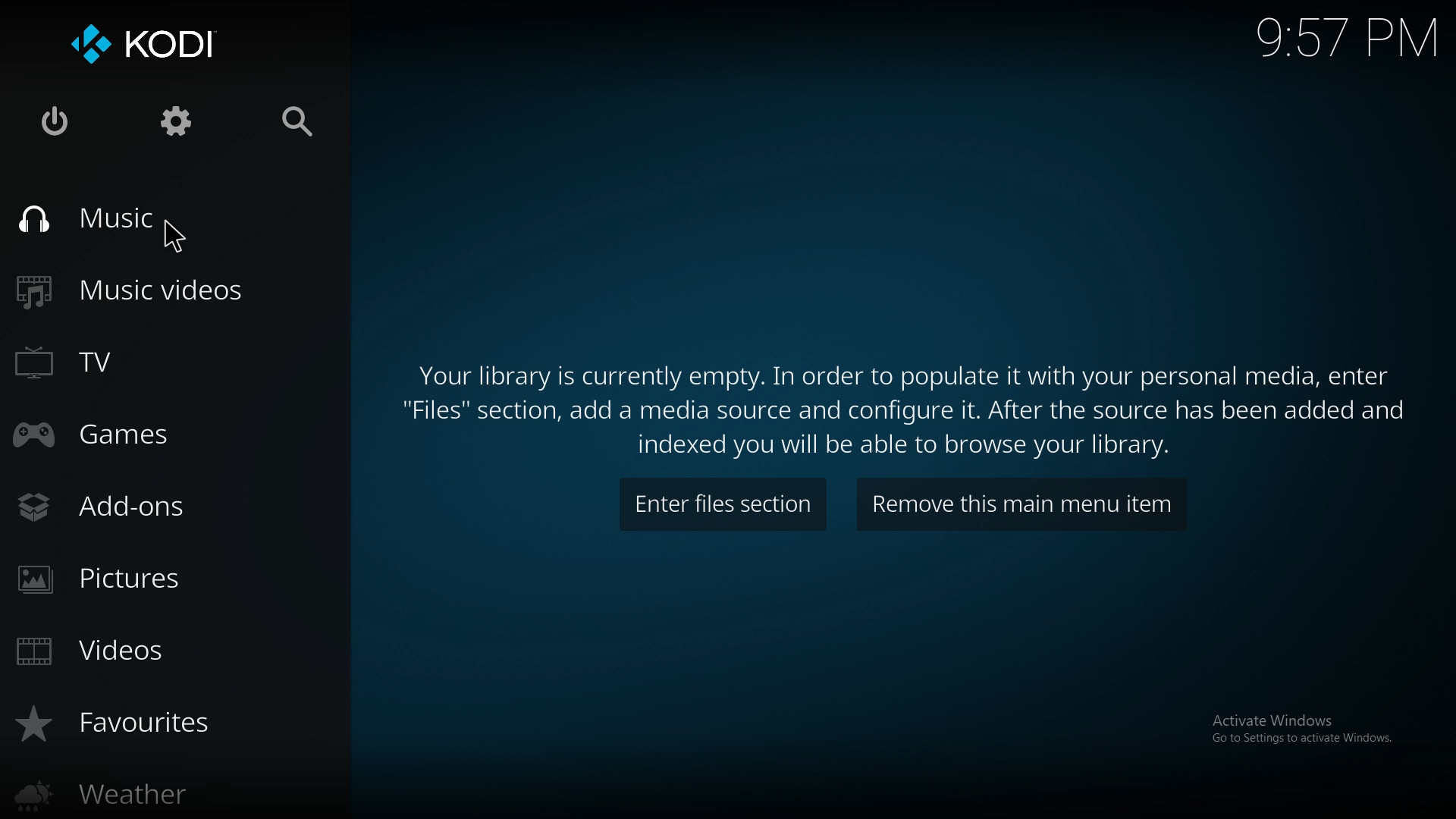 The image size is (1456, 819). Describe the element at coordinates (151, 48) in the screenshot. I see `kodi` at that location.